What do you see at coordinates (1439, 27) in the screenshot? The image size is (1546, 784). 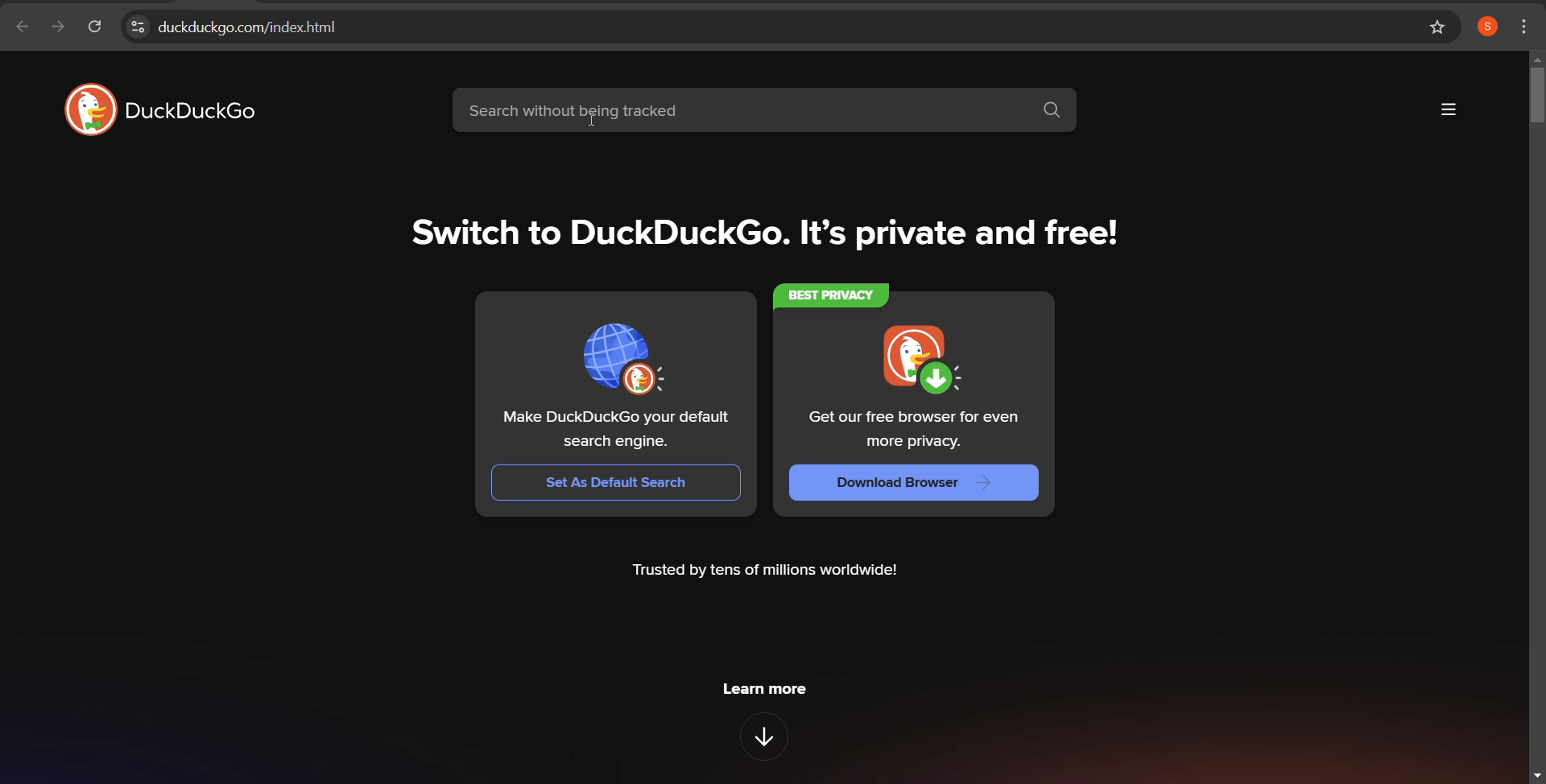 I see `bookmark page` at bounding box center [1439, 27].